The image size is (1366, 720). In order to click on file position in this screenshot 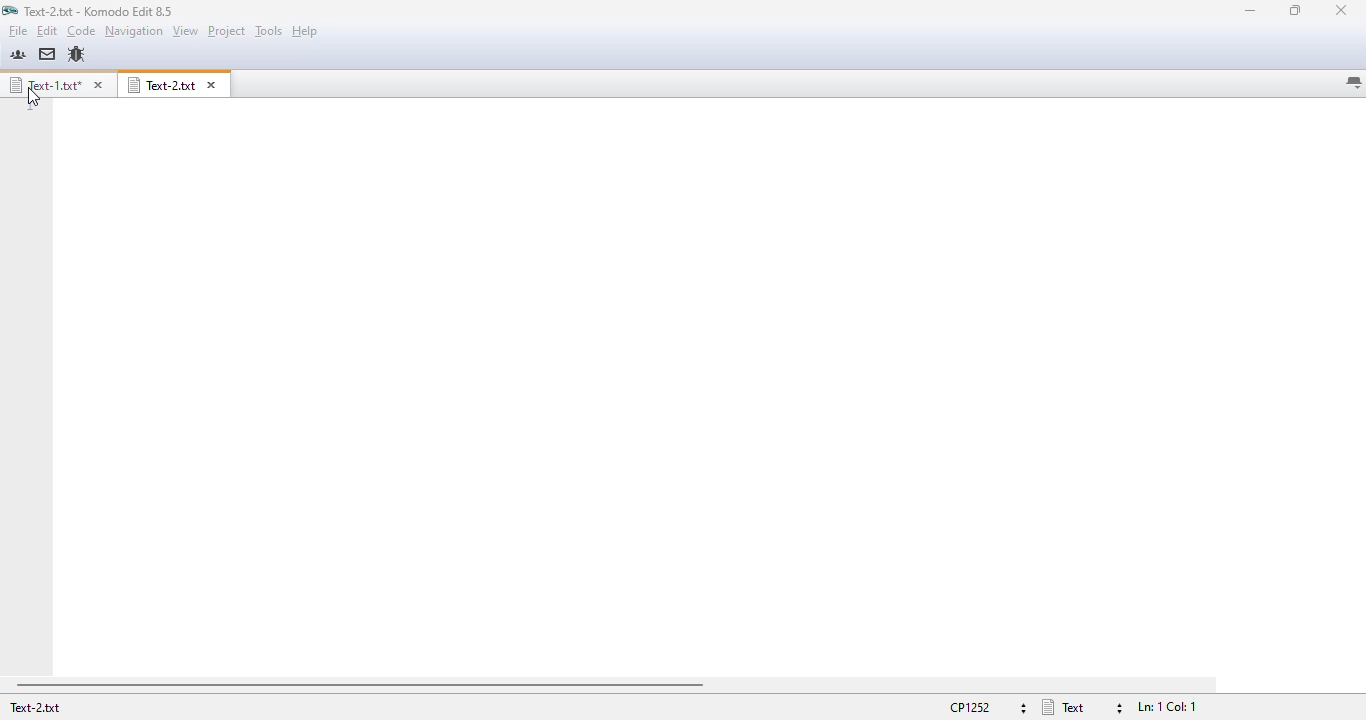, I will do `click(1168, 707)`.